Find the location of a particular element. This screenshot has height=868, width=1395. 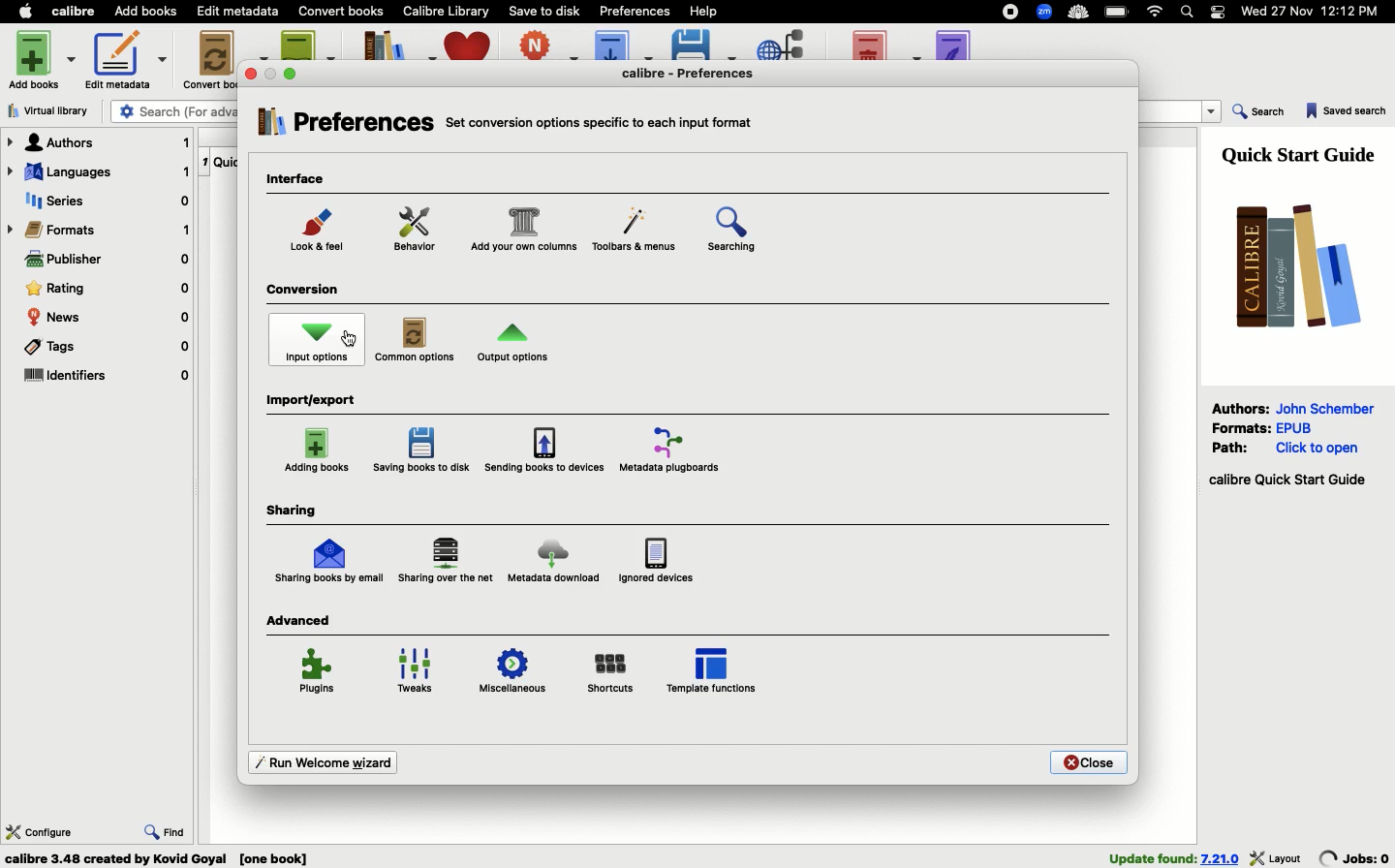

Interface is located at coordinates (301, 180).